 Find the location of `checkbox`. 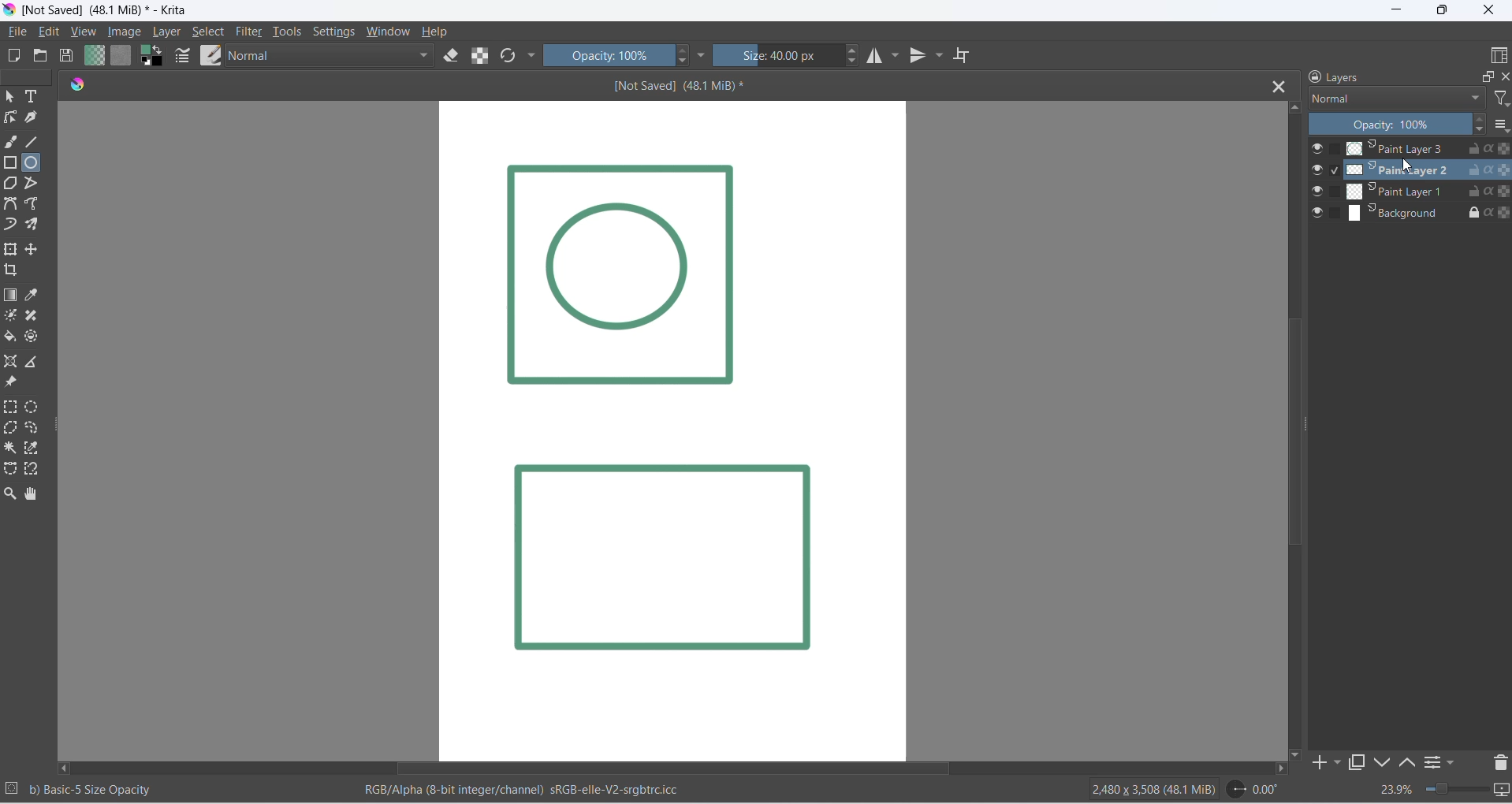

checkbox is located at coordinates (1333, 212).